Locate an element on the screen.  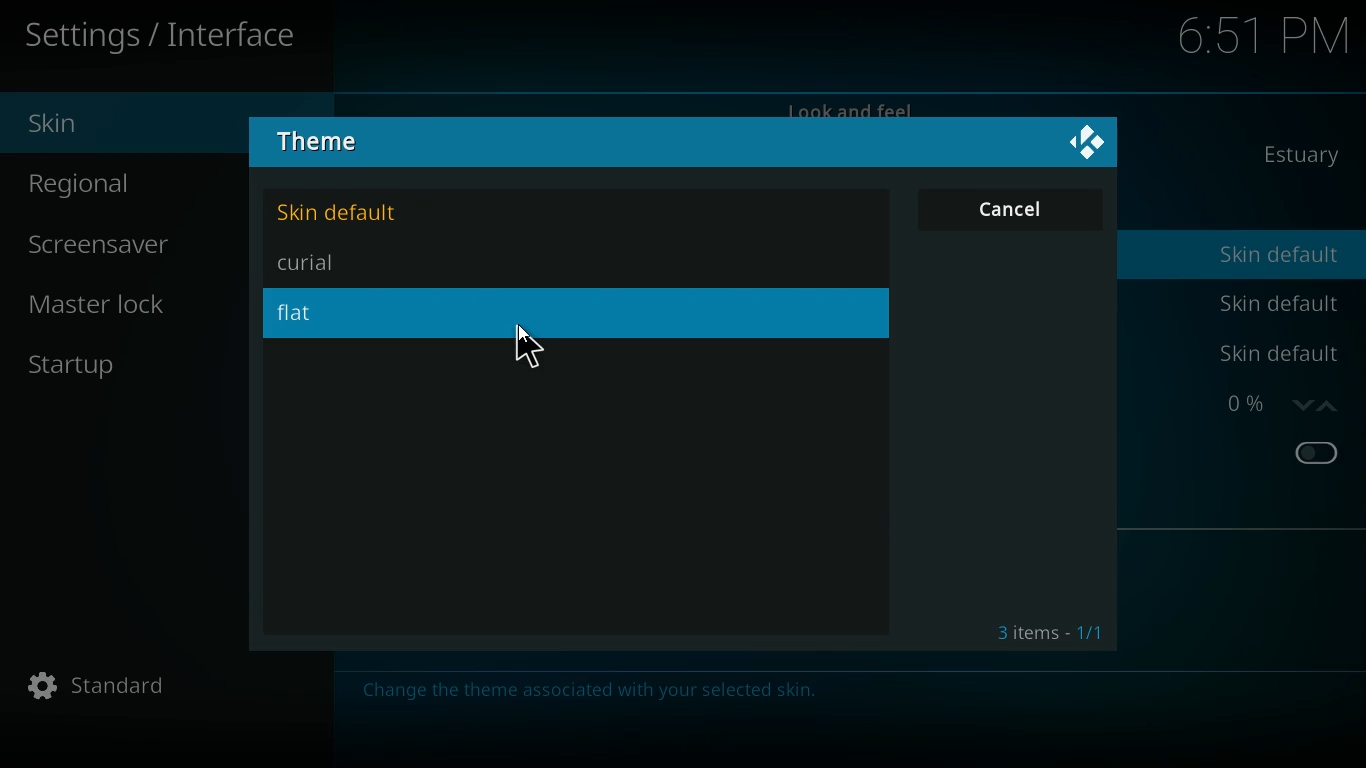
curial is located at coordinates (336, 263).